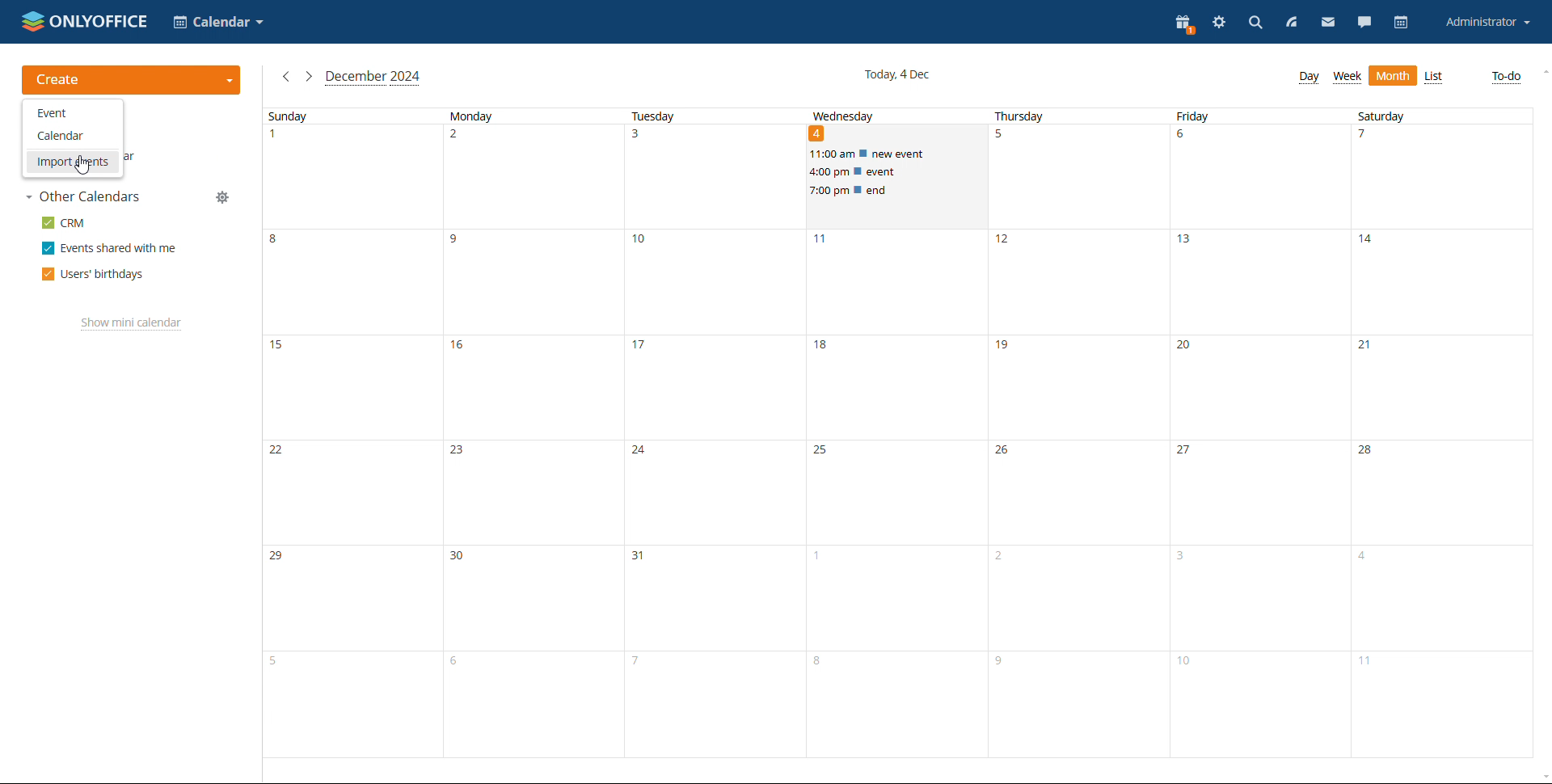 This screenshot has width=1552, height=784. What do you see at coordinates (1506, 78) in the screenshot?
I see `to-do` at bounding box center [1506, 78].